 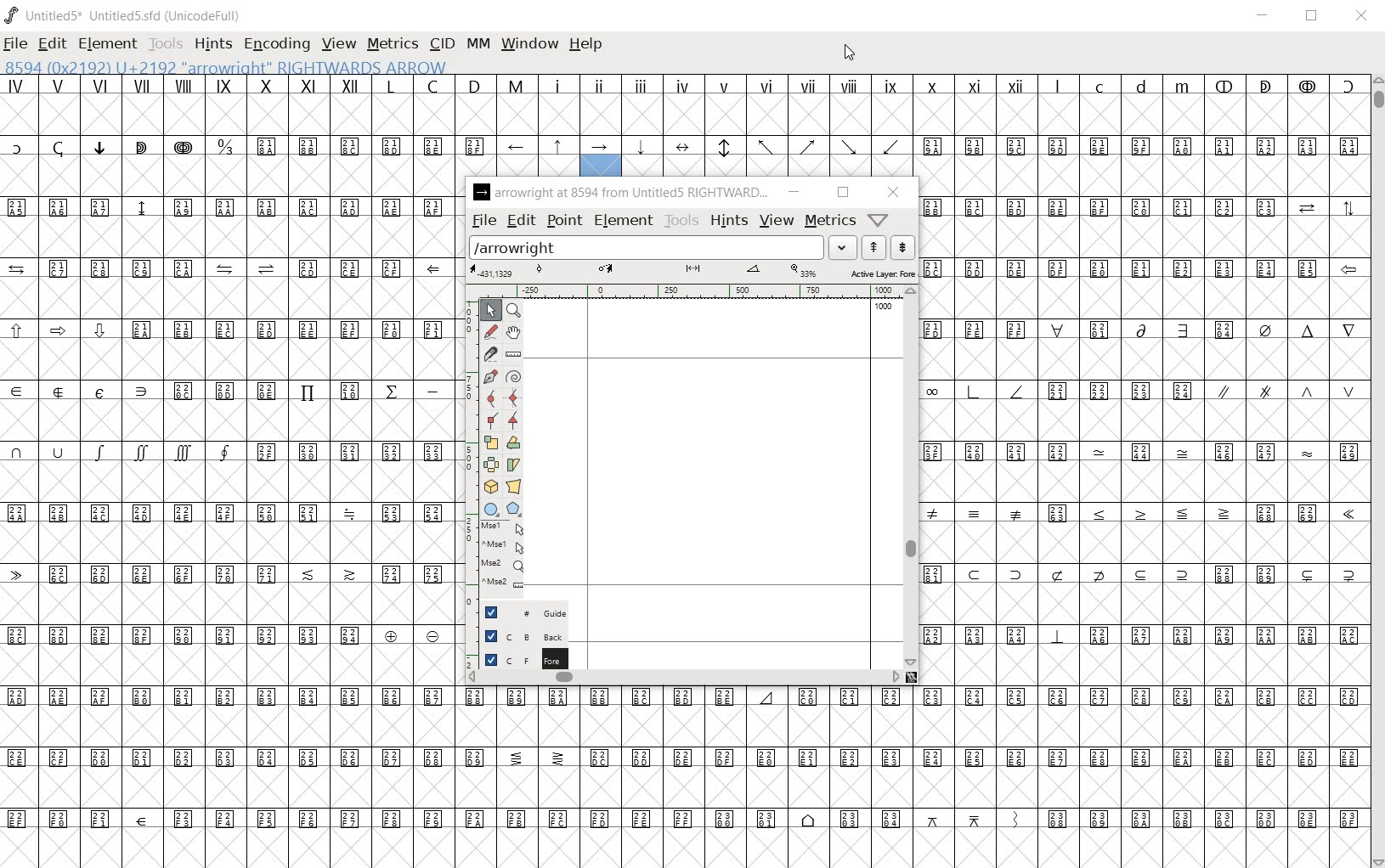 I want to click on CURSOR, so click(x=850, y=54).